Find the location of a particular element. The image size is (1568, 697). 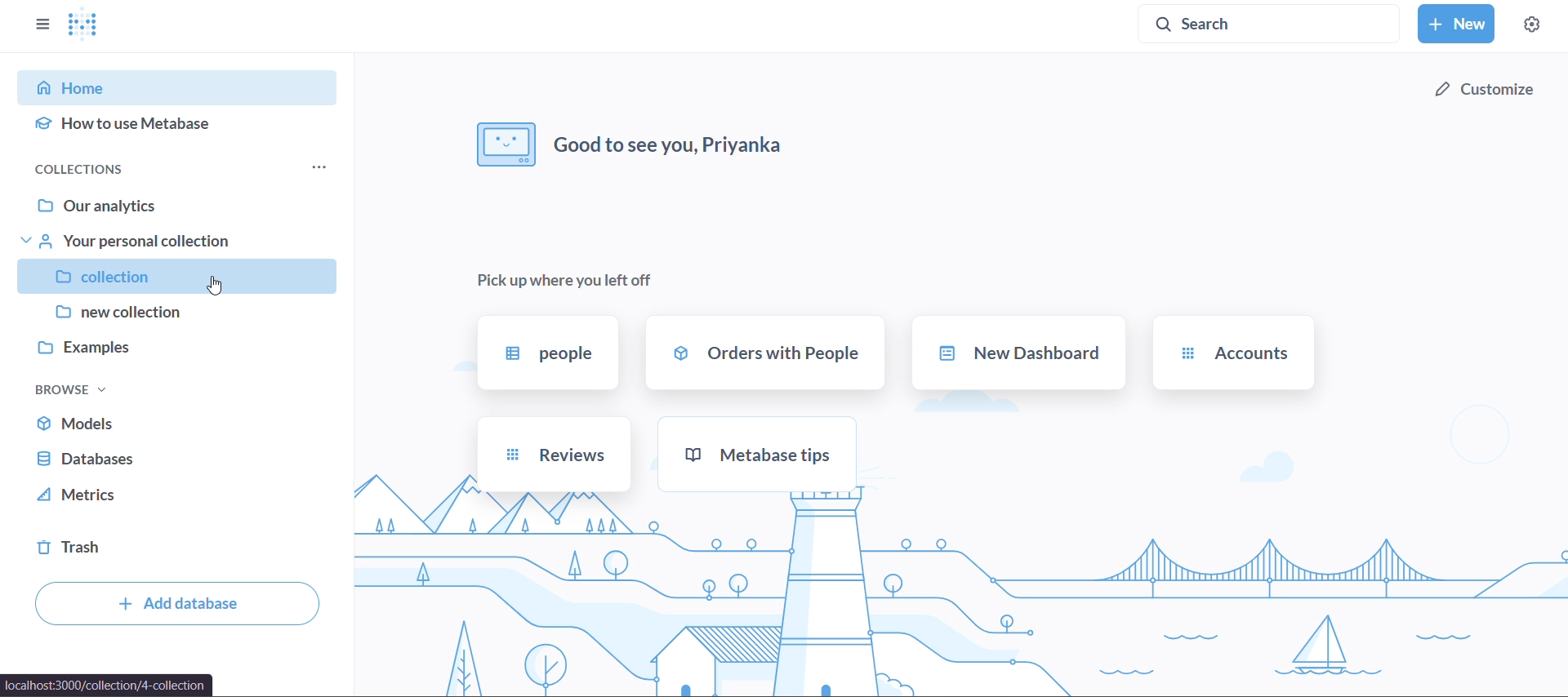

Cursor is located at coordinates (217, 286).